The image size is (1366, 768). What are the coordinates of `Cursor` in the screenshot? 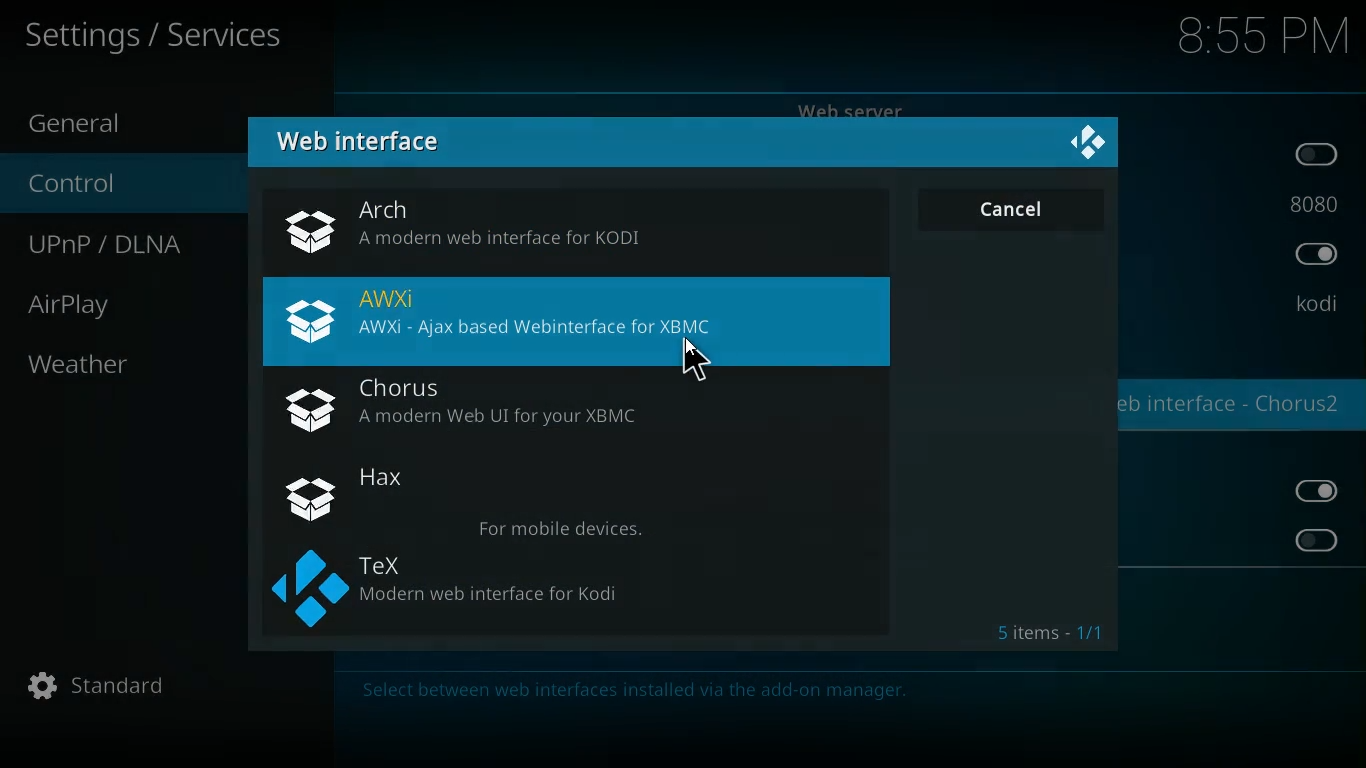 It's located at (693, 358).